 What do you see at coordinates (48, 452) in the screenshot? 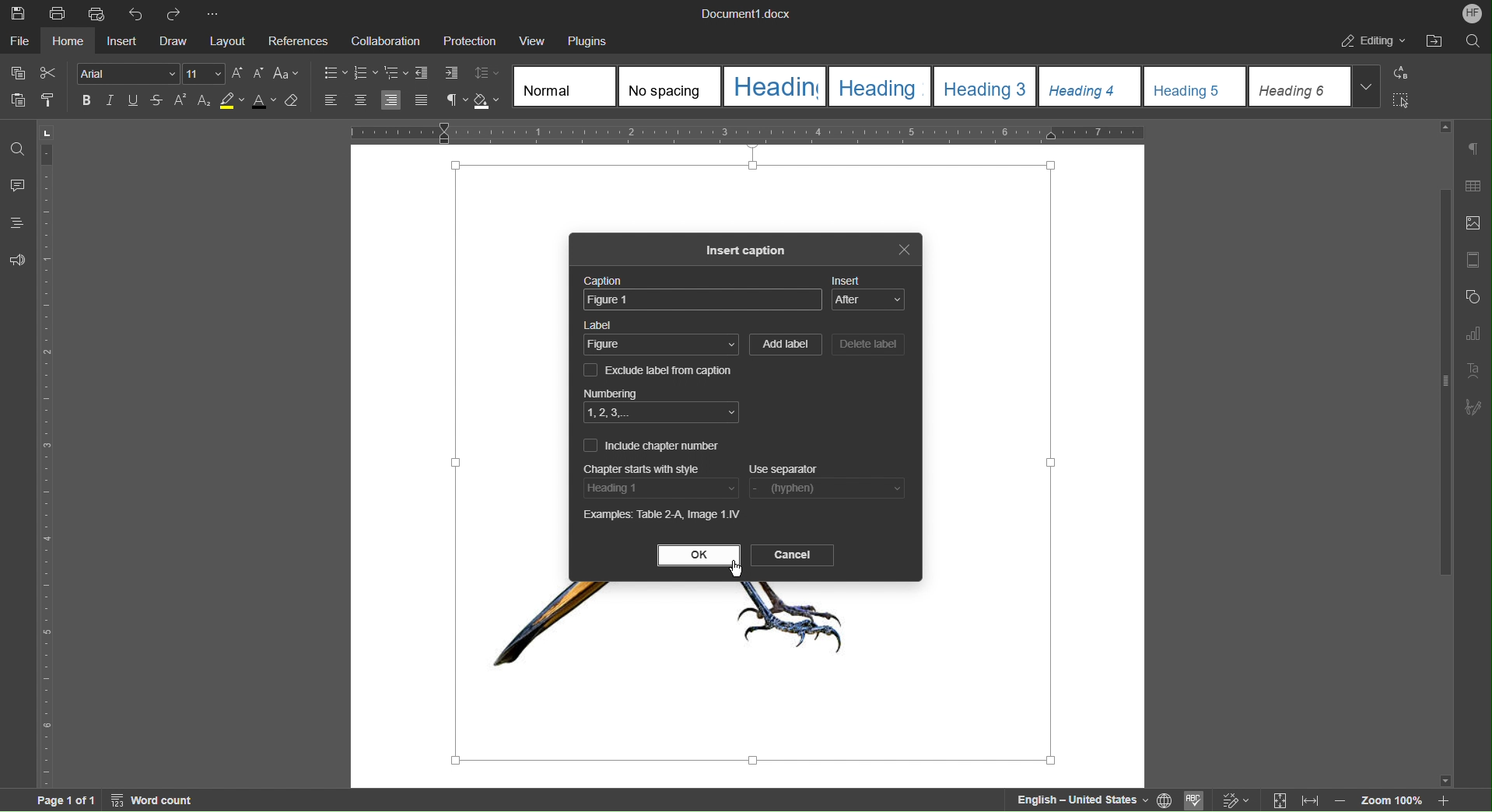
I see `Vertical Ruler` at bounding box center [48, 452].